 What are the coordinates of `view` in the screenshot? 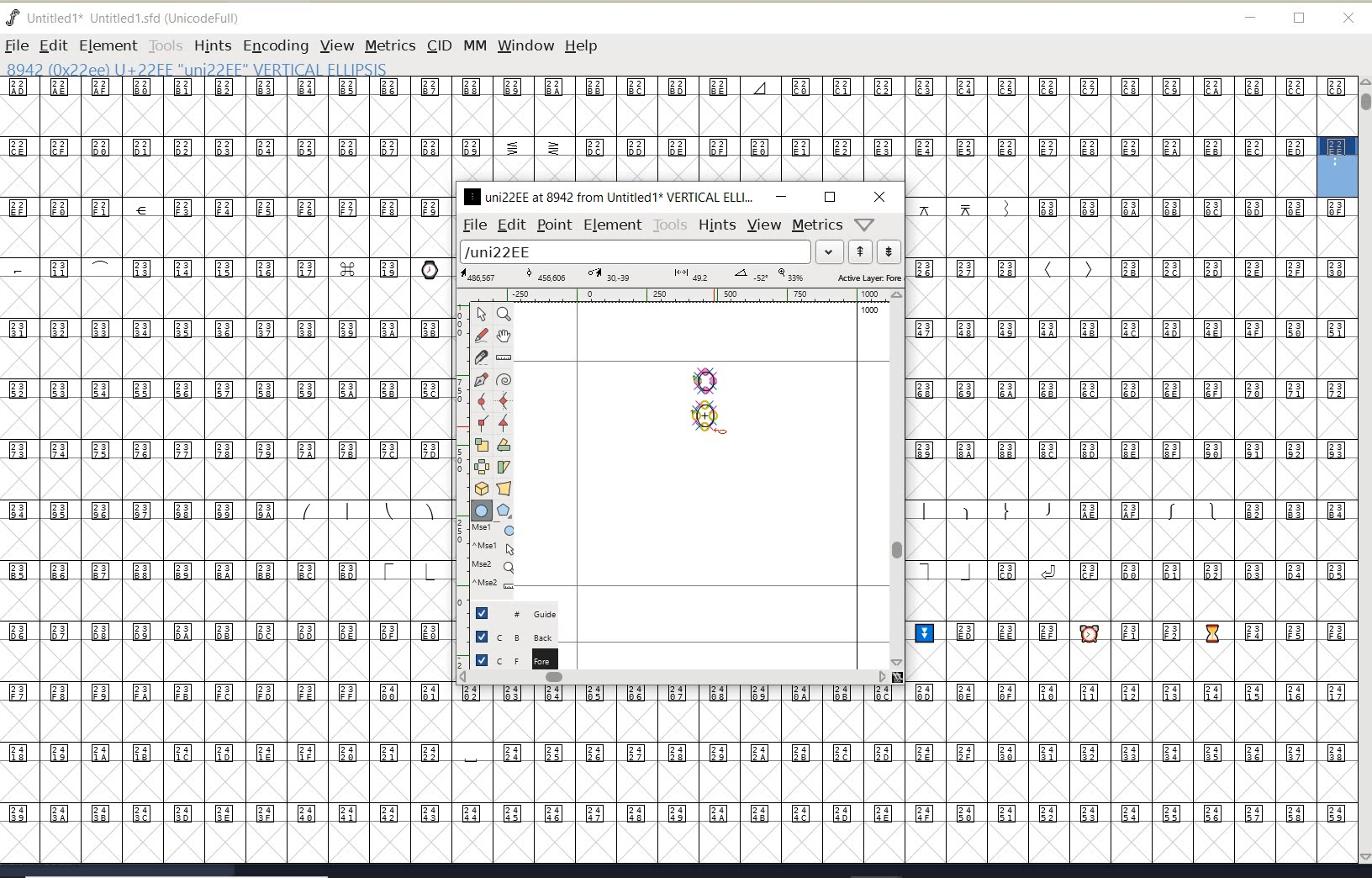 It's located at (764, 225).